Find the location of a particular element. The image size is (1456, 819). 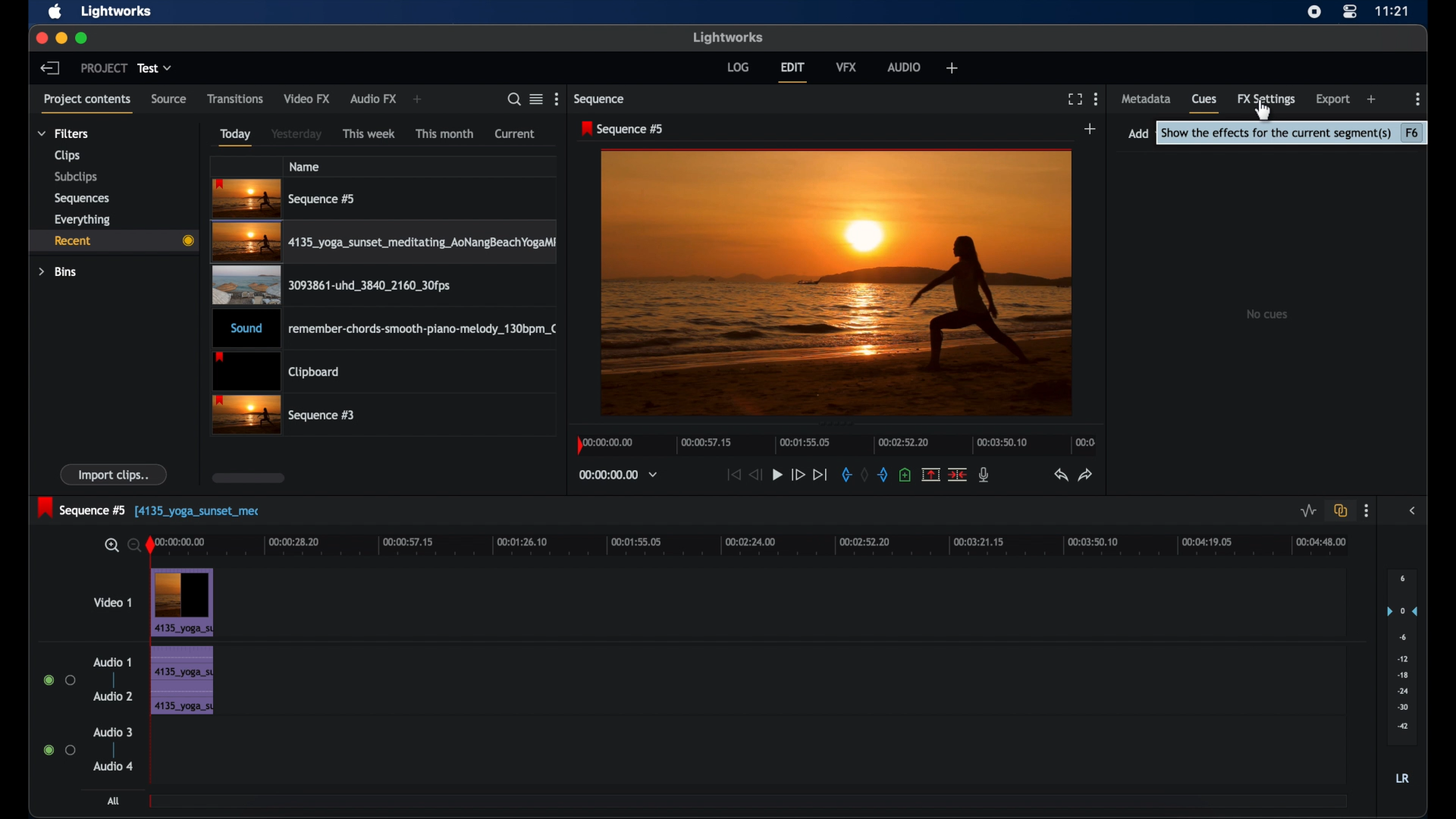

clips is located at coordinates (67, 156).